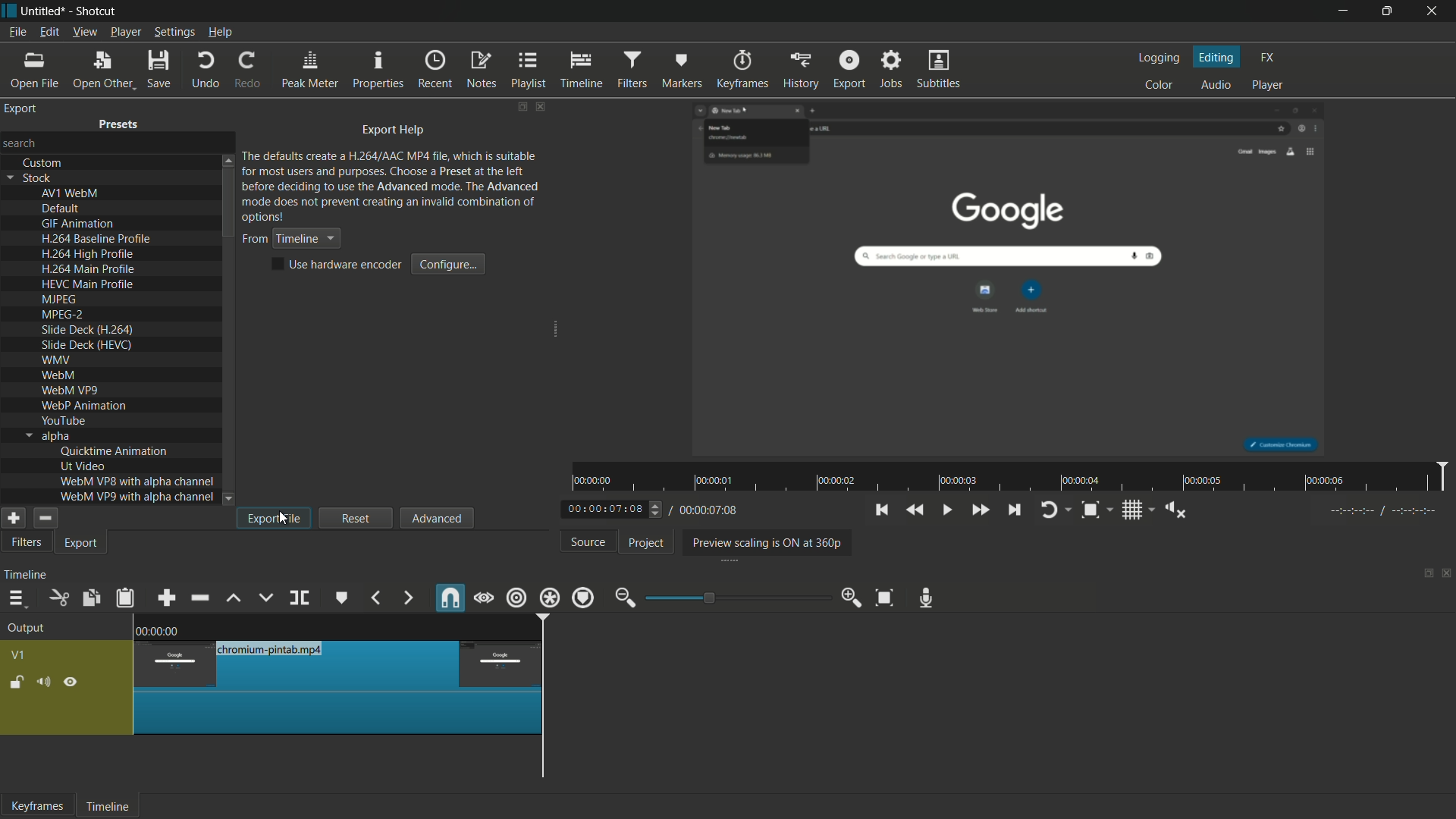 The image size is (1456, 819). I want to click on , so click(1267, 55).